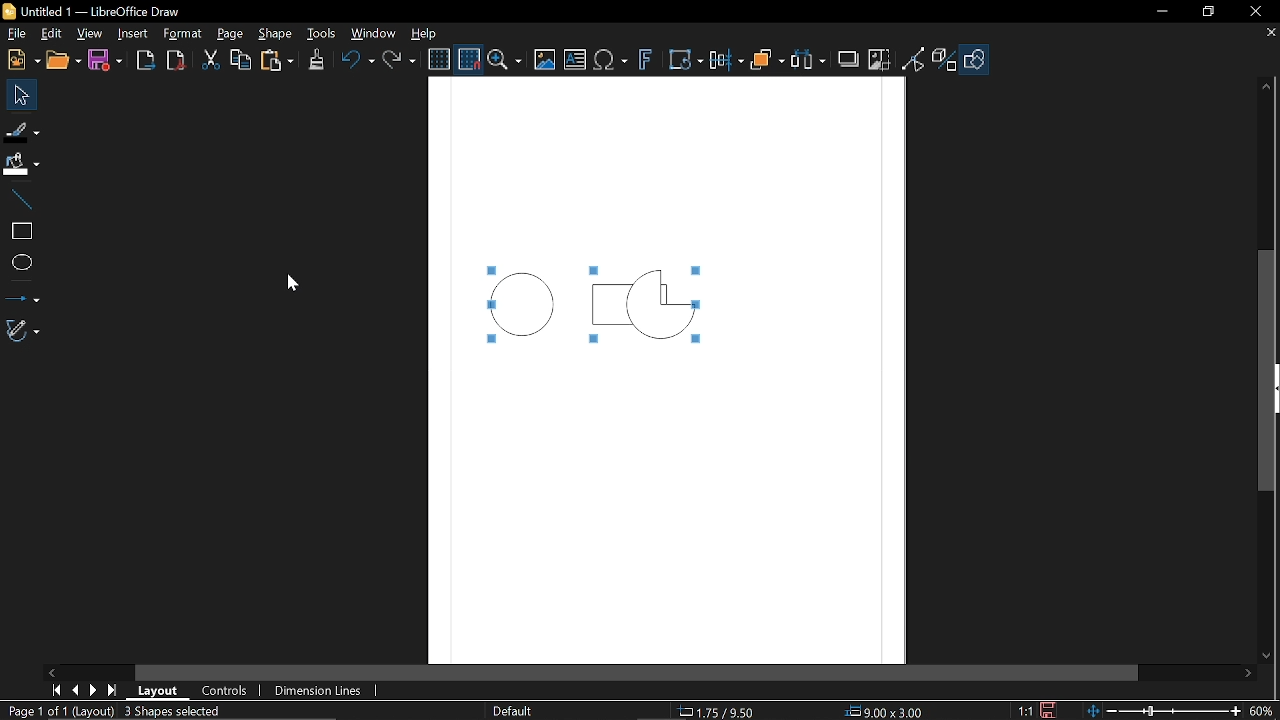 The height and width of the screenshot is (720, 1280). Describe the element at coordinates (701, 344) in the screenshot. I see `Tiny square marked around the selected objects` at that location.